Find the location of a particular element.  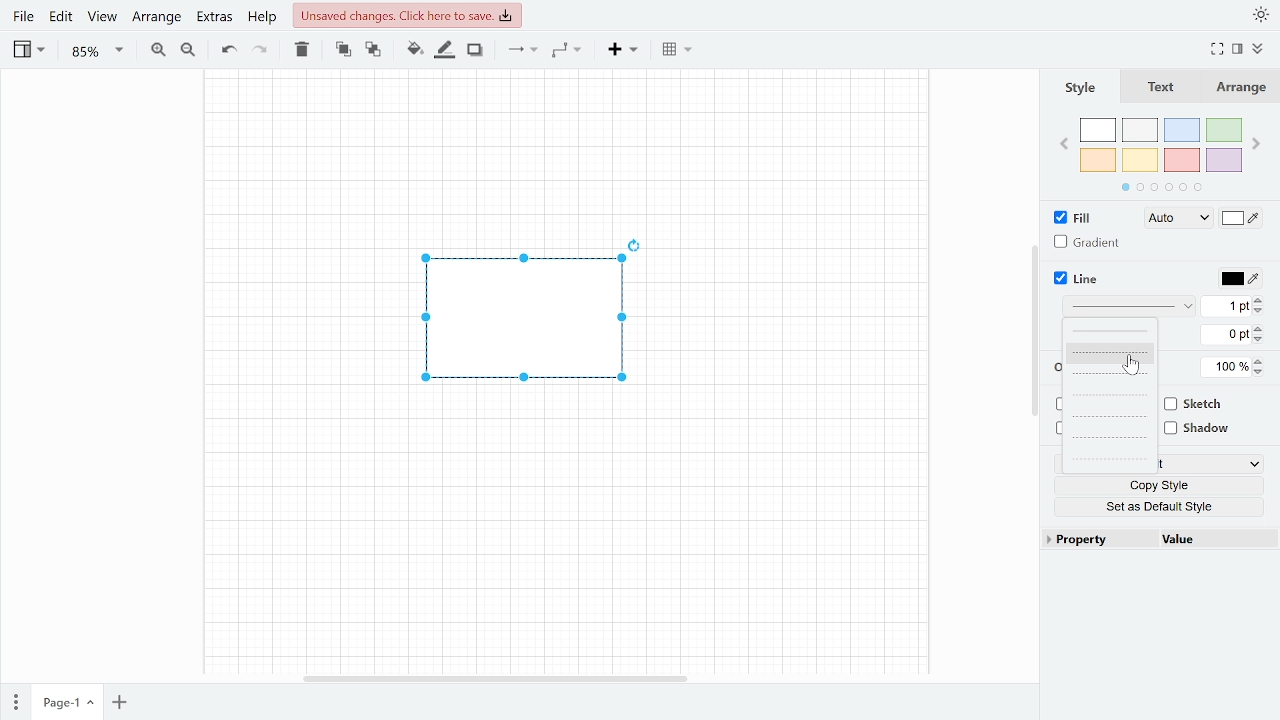

Pages is located at coordinates (14, 702).